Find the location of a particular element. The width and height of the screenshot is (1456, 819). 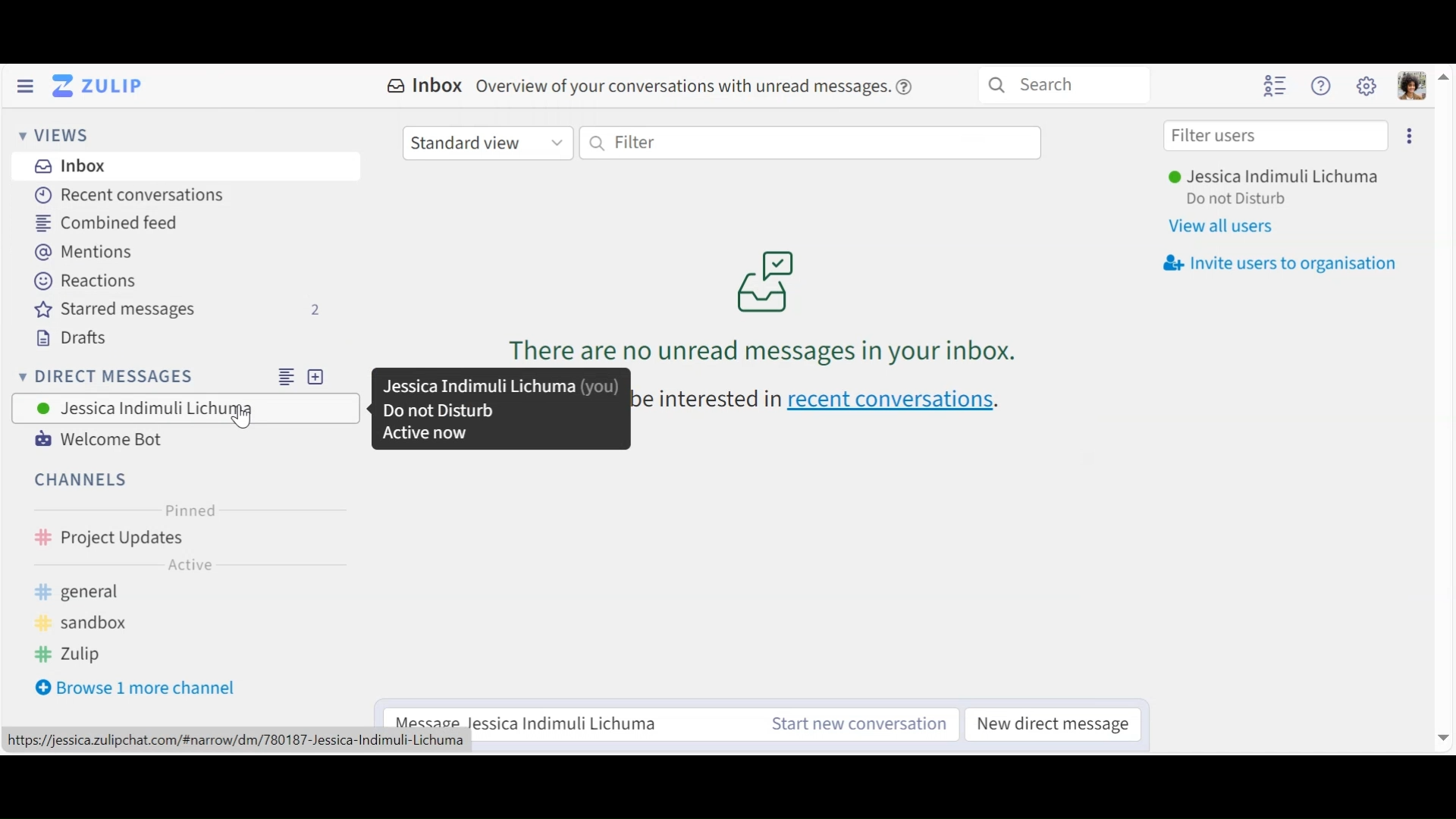

Status is located at coordinates (1243, 201).